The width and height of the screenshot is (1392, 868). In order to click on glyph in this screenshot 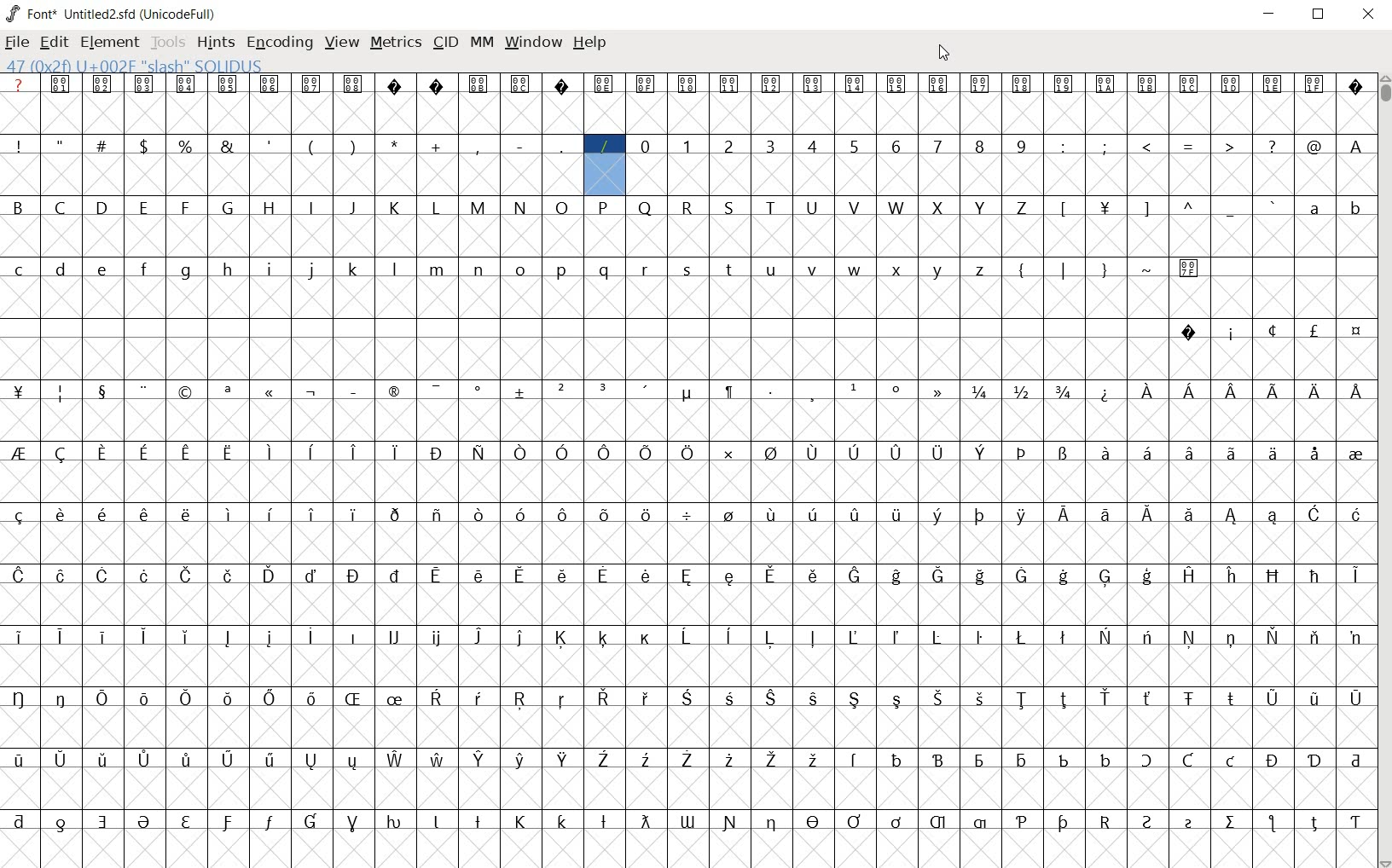, I will do `click(646, 452)`.